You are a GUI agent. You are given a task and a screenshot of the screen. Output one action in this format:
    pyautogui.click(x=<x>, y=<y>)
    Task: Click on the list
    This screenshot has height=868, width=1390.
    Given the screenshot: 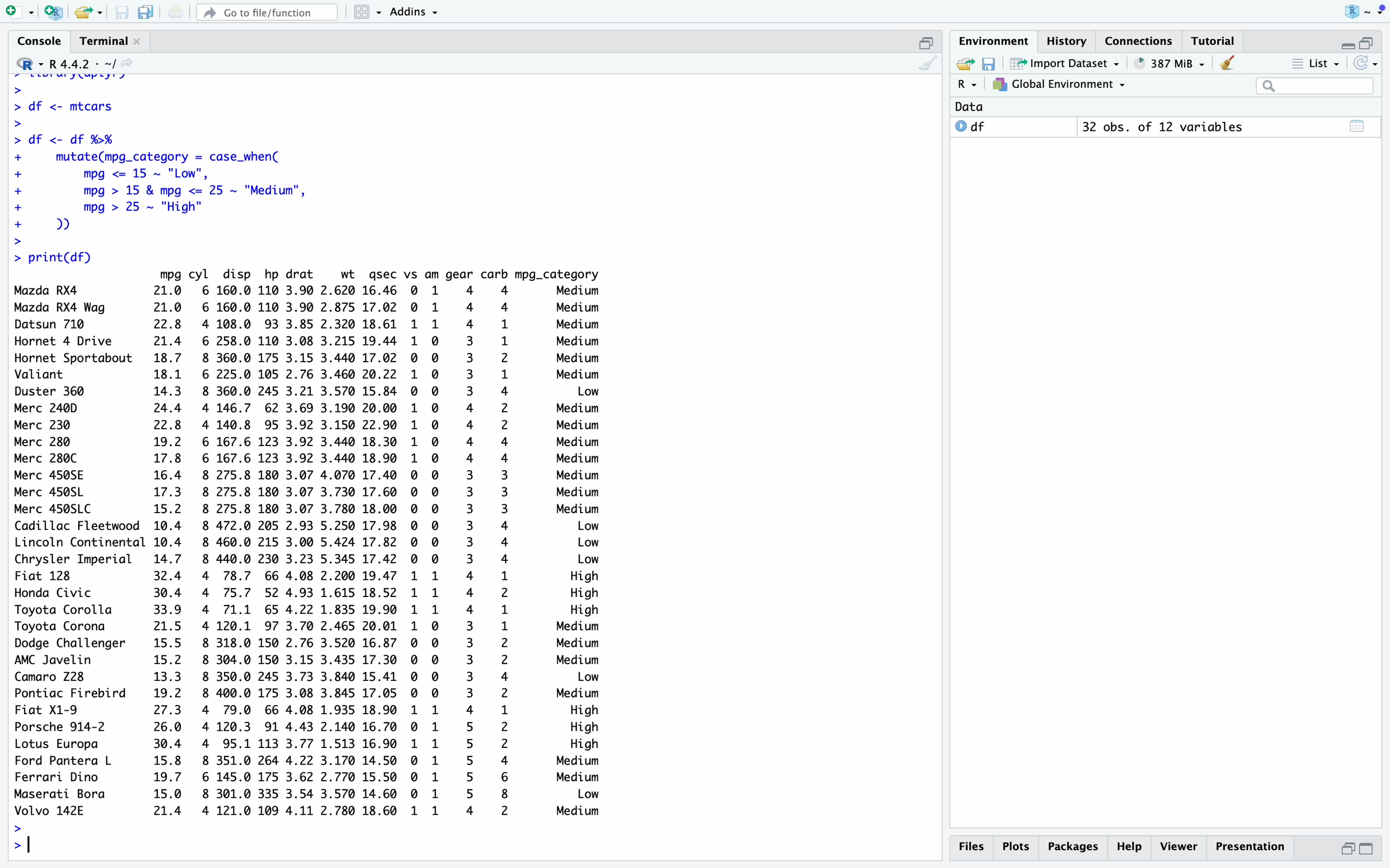 What is the action you would take?
    pyautogui.click(x=1316, y=63)
    